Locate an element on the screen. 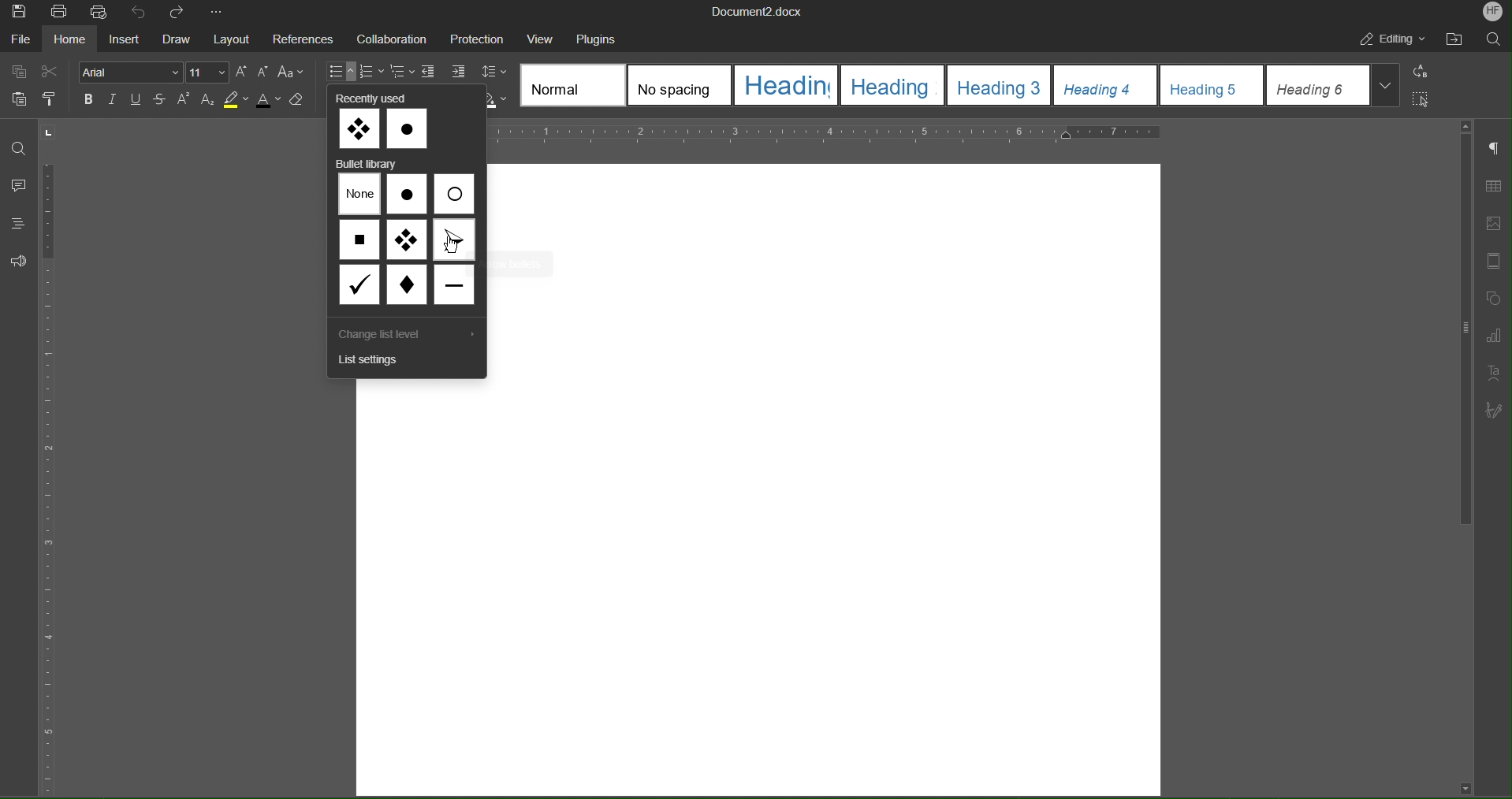 The width and height of the screenshot is (1512, 799). List Settings is located at coordinates (377, 362).